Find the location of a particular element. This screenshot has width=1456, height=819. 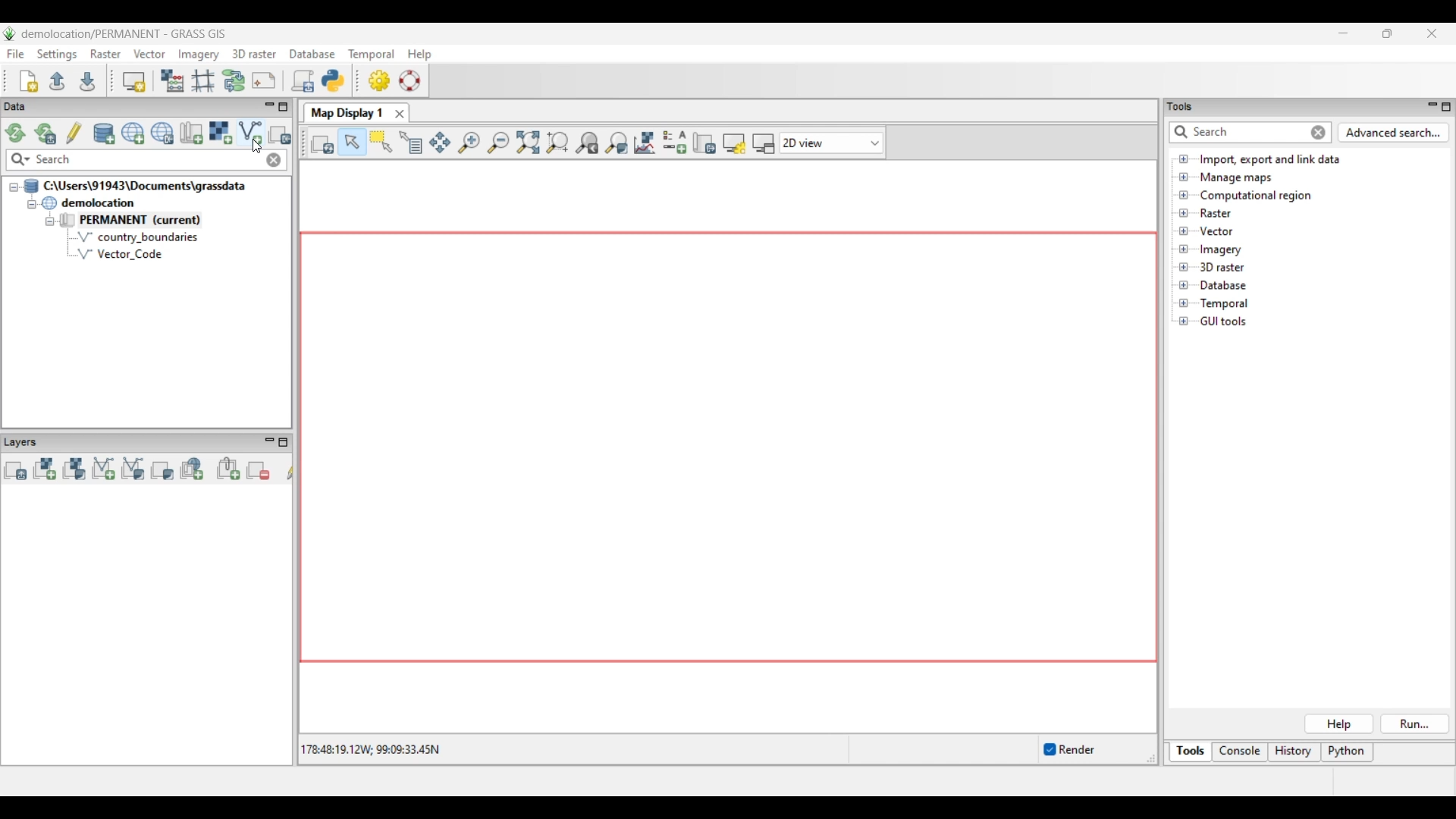

Collapse file thread  is located at coordinates (14, 187).